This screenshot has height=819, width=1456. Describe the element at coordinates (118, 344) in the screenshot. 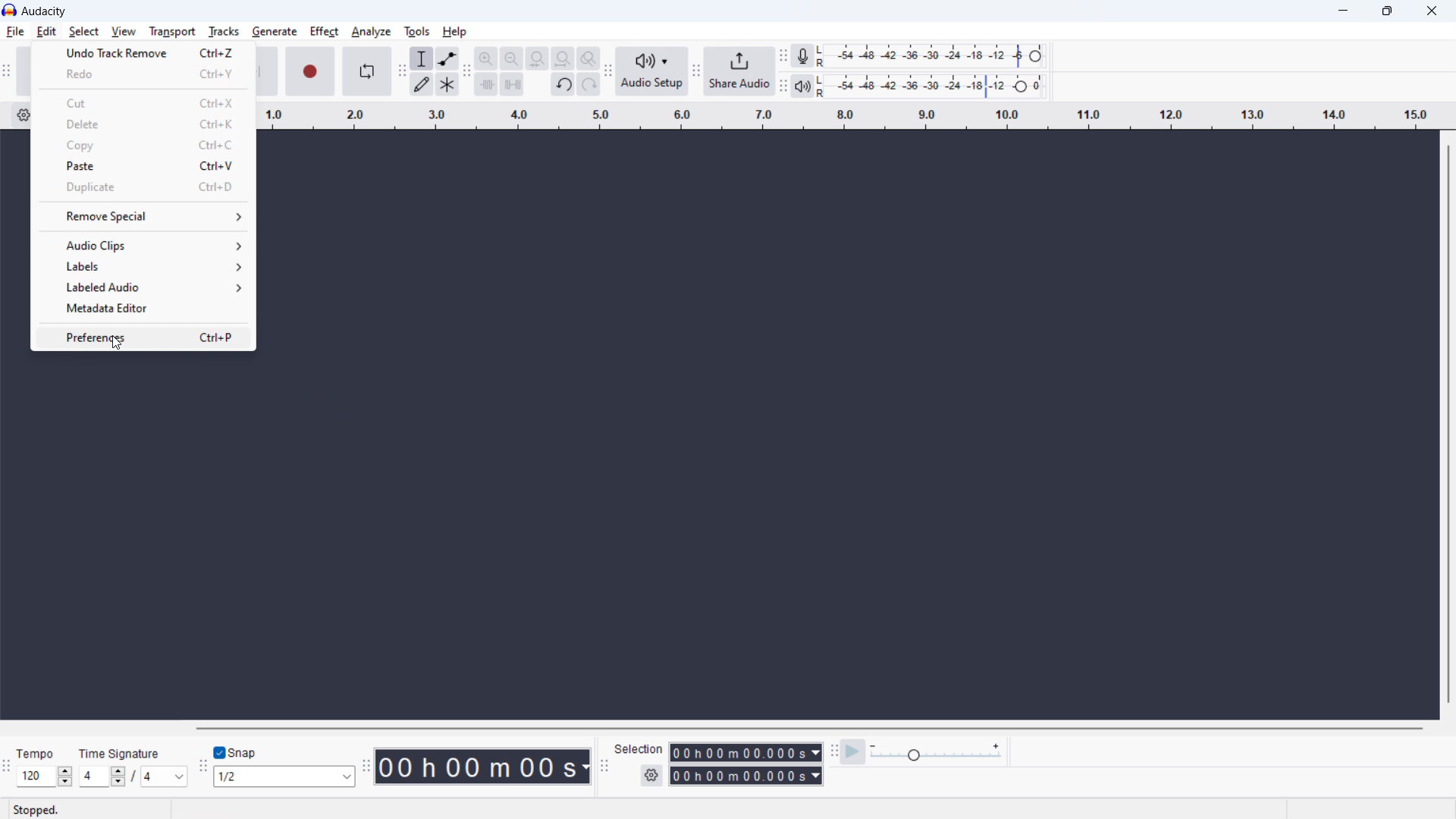

I see `cursor` at that location.